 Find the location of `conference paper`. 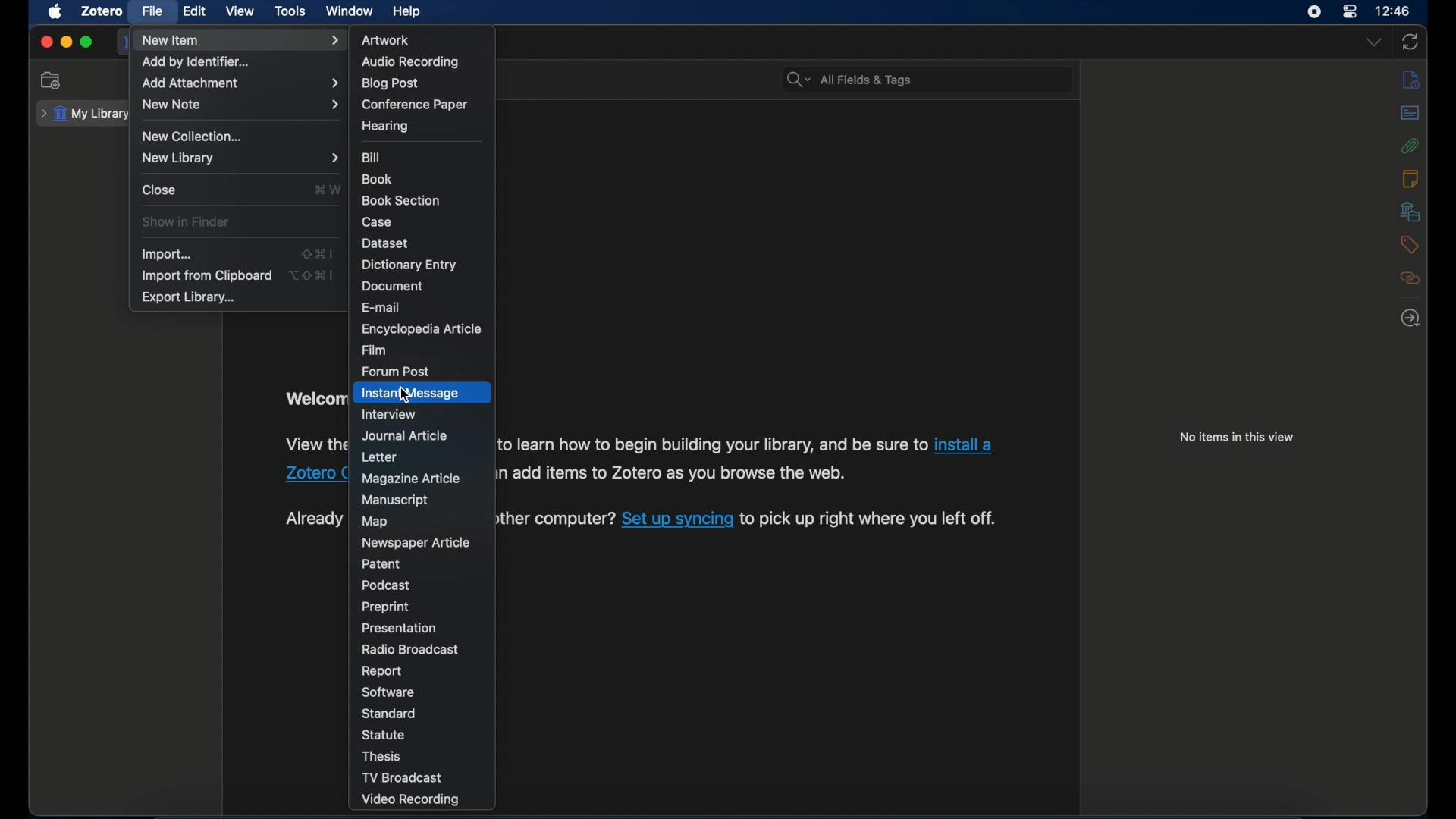

conference paper is located at coordinates (415, 105).